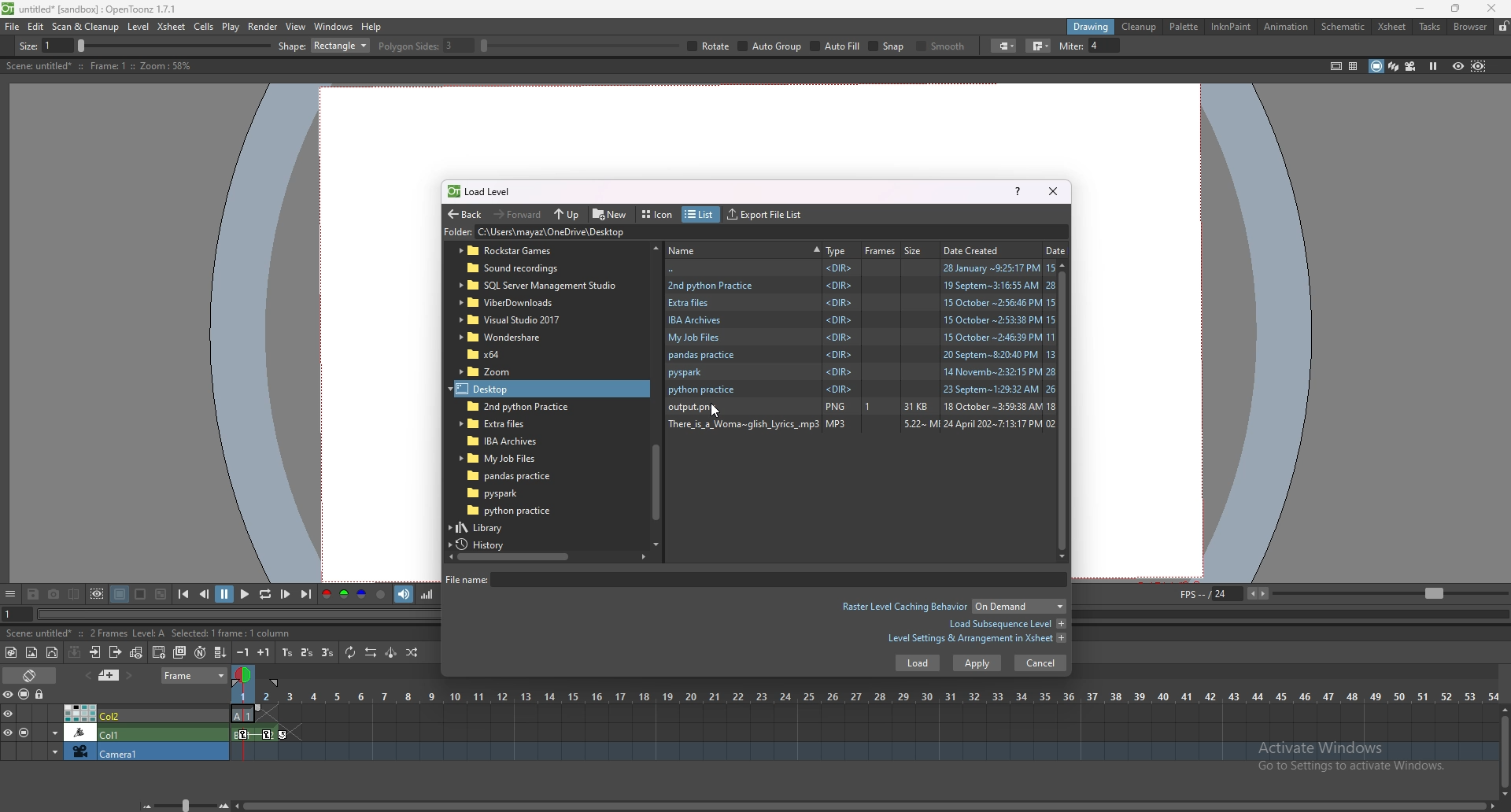 Image resolution: width=1511 pixels, height=812 pixels. I want to click on play, so click(231, 27).